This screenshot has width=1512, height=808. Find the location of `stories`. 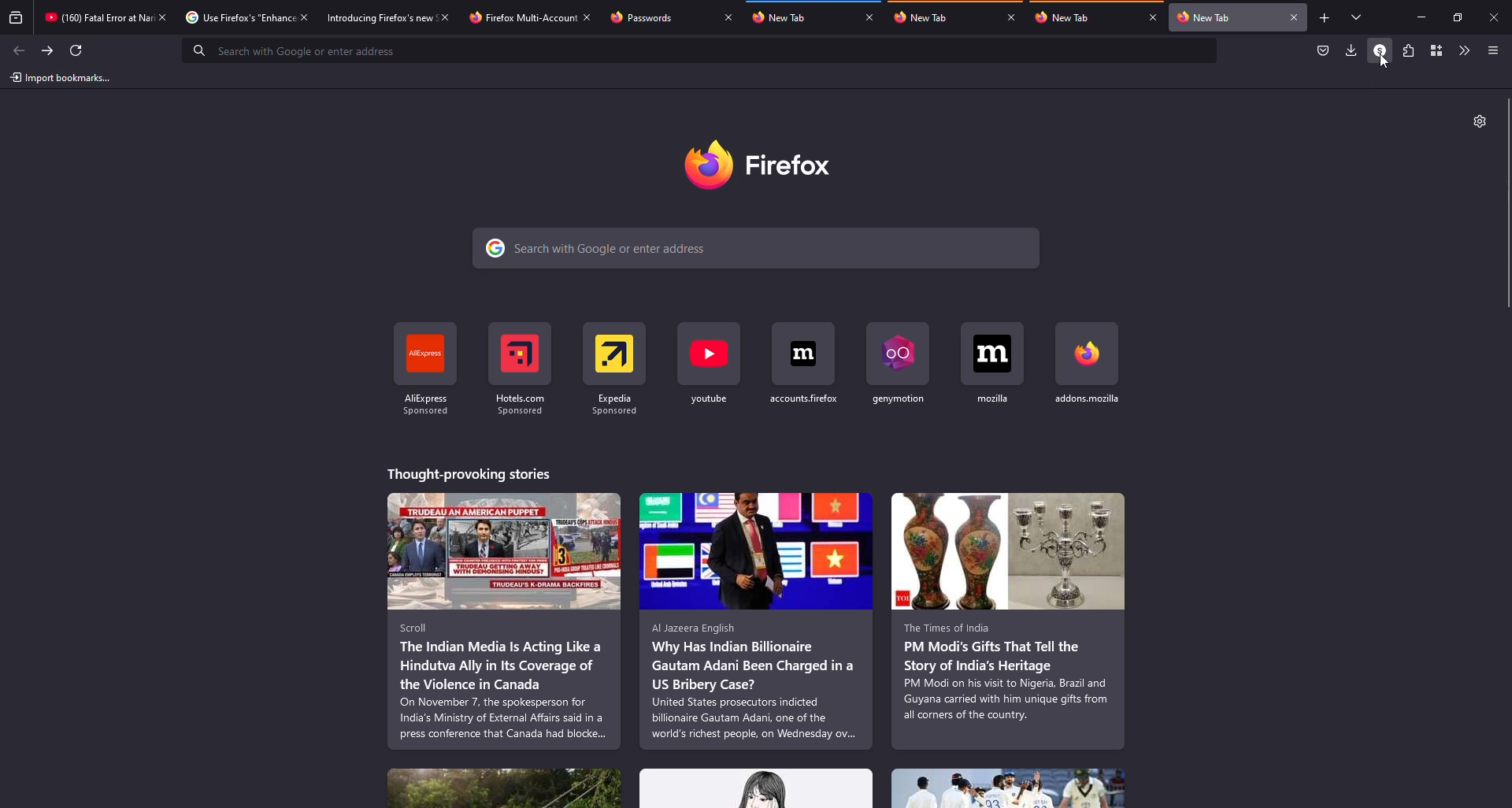

stories is located at coordinates (757, 788).